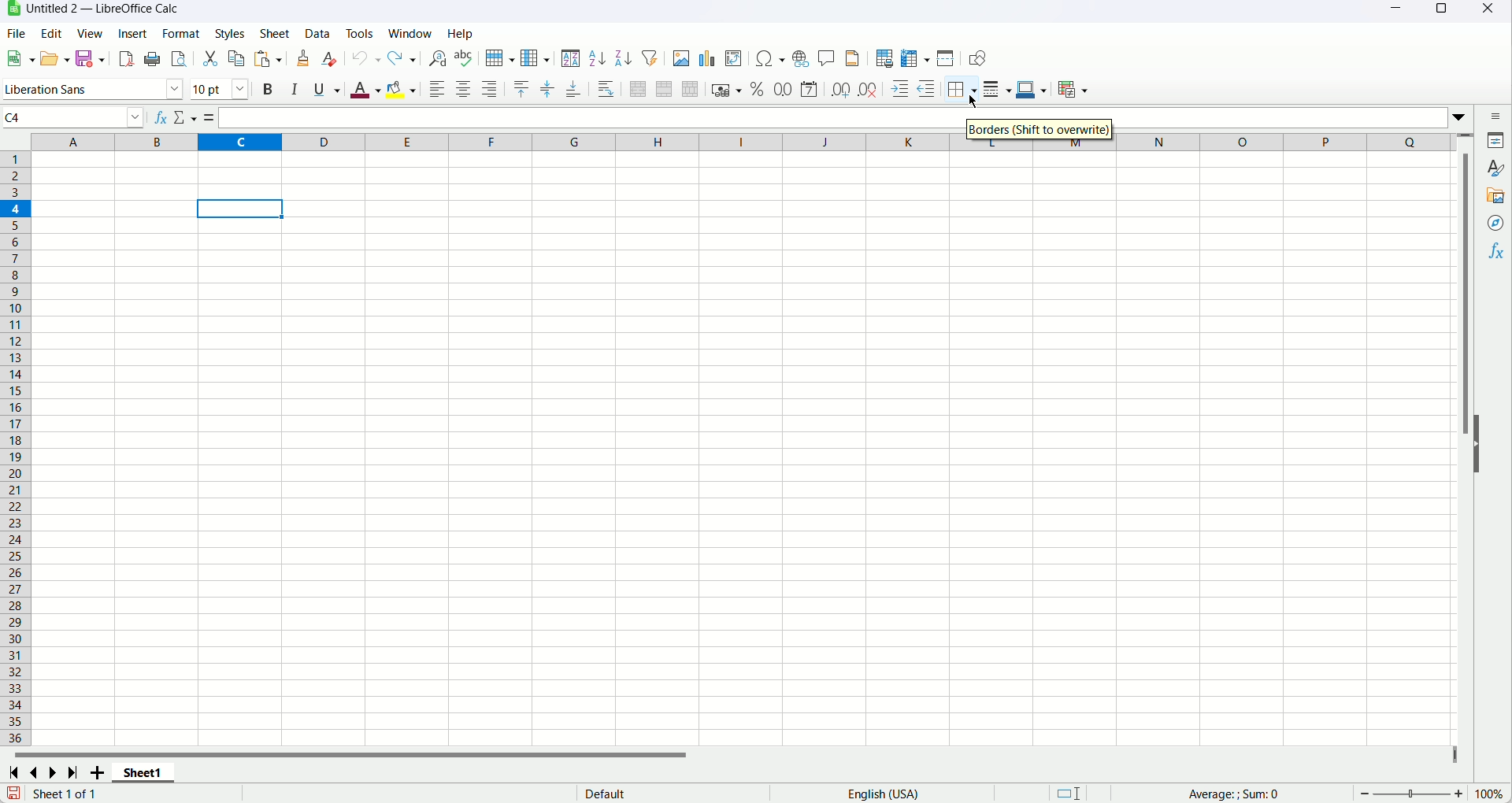 This screenshot has height=803, width=1512. What do you see at coordinates (727, 89) in the screenshot?
I see `Format as currency` at bounding box center [727, 89].